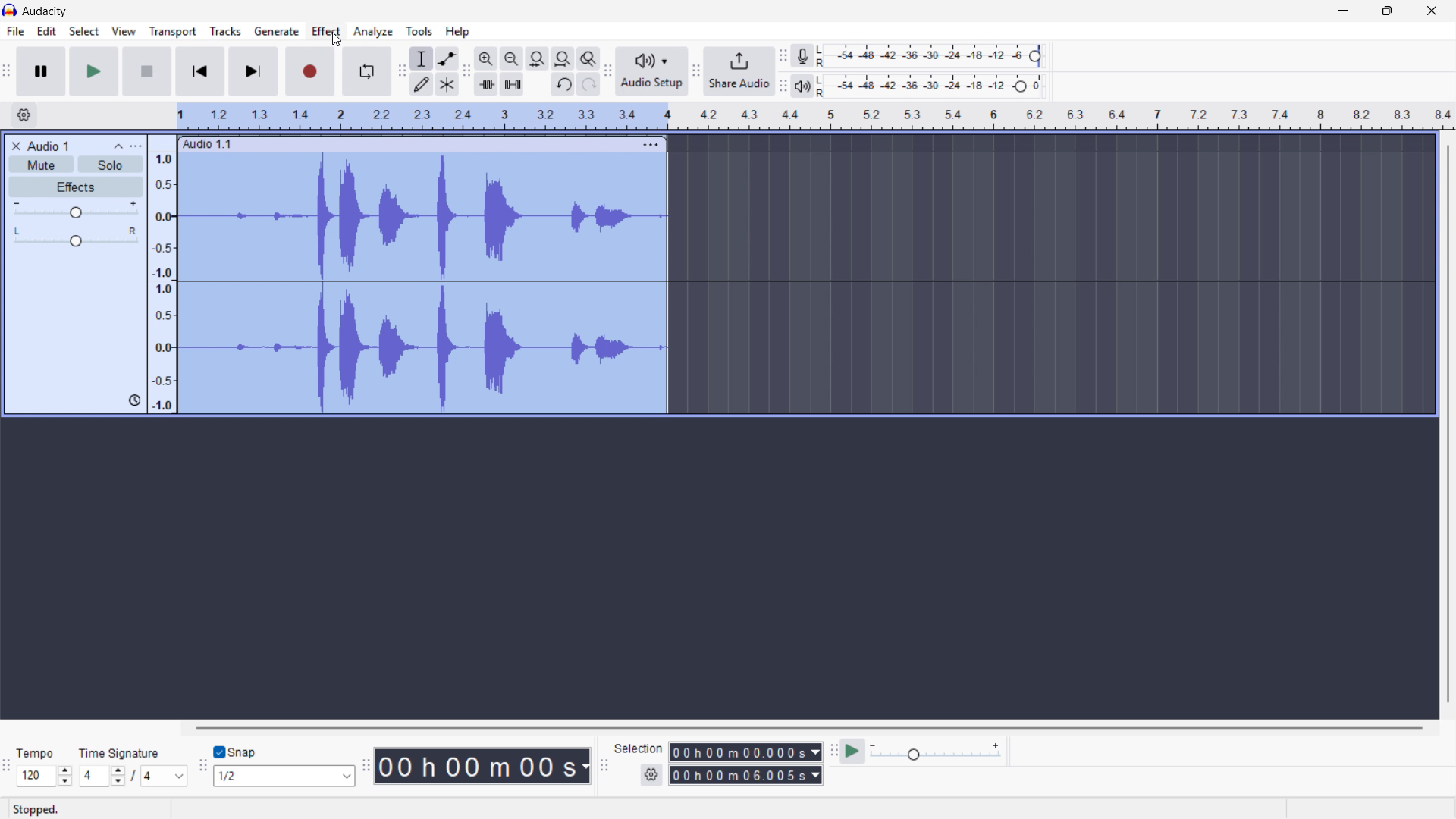  I want to click on Zoom out, so click(512, 58).